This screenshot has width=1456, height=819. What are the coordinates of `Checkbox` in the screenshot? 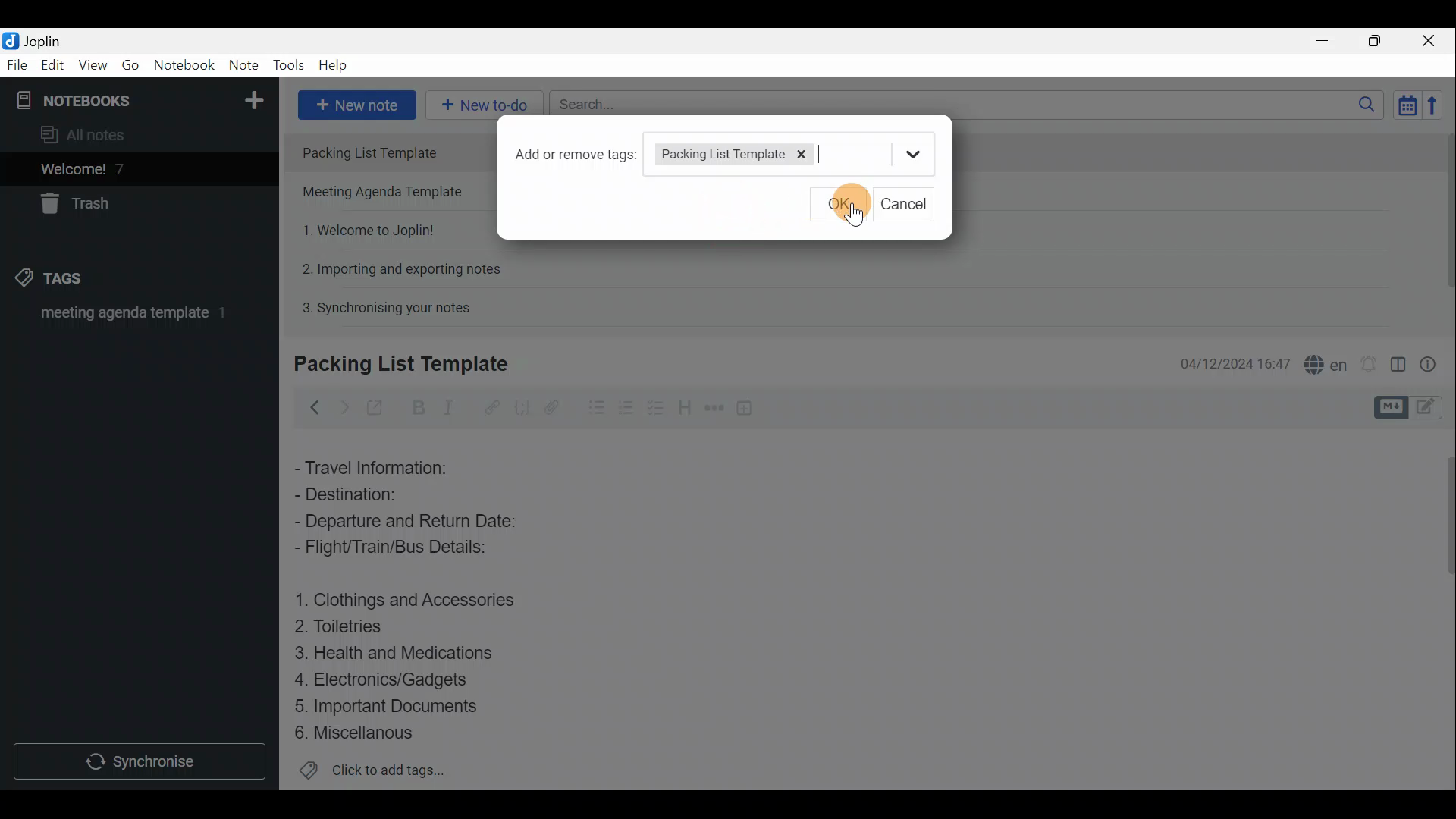 It's located at (626, 405).